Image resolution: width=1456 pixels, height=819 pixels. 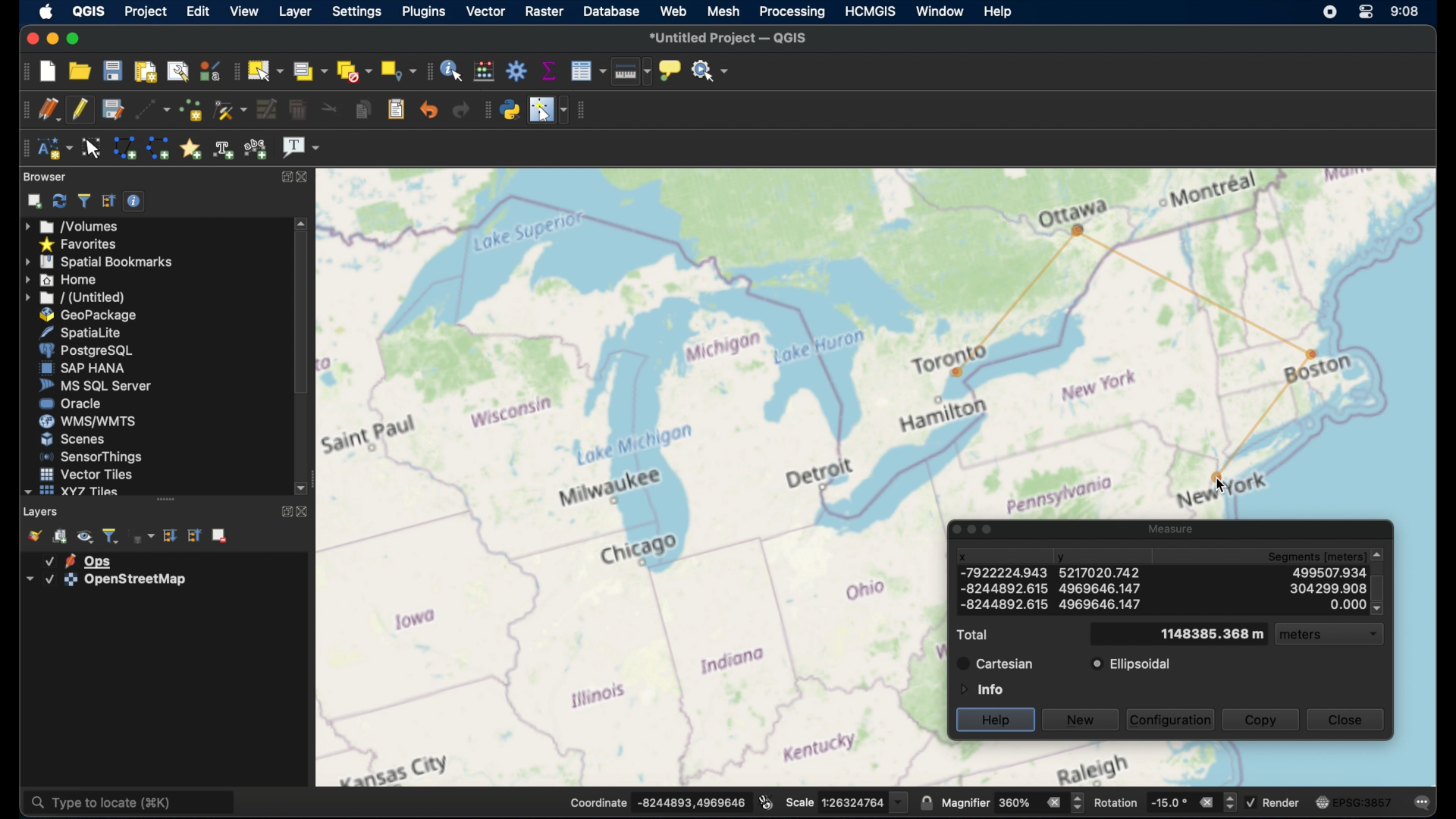 What do you see at coordinates (303, 513) in the screenshot?
I see `close` at bounding box center [303, 513].